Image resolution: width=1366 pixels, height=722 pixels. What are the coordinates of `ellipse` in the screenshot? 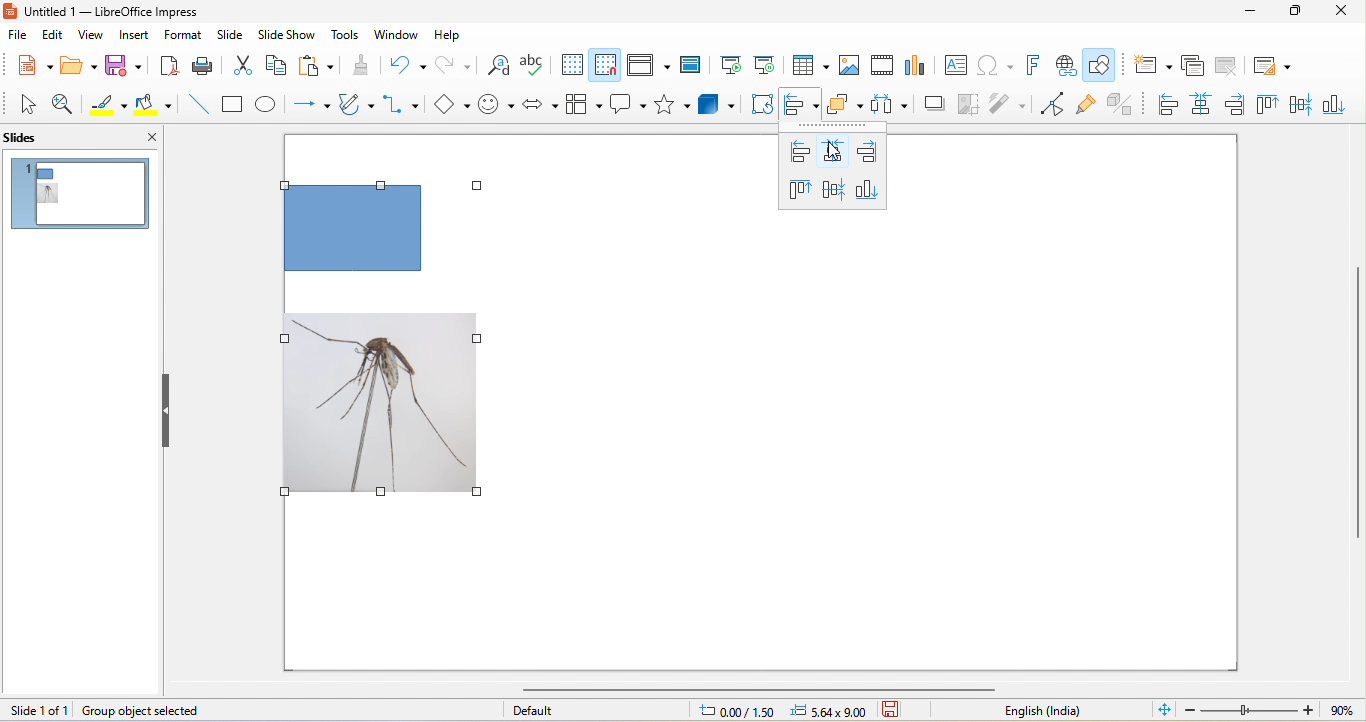 It's located at (269, 106).